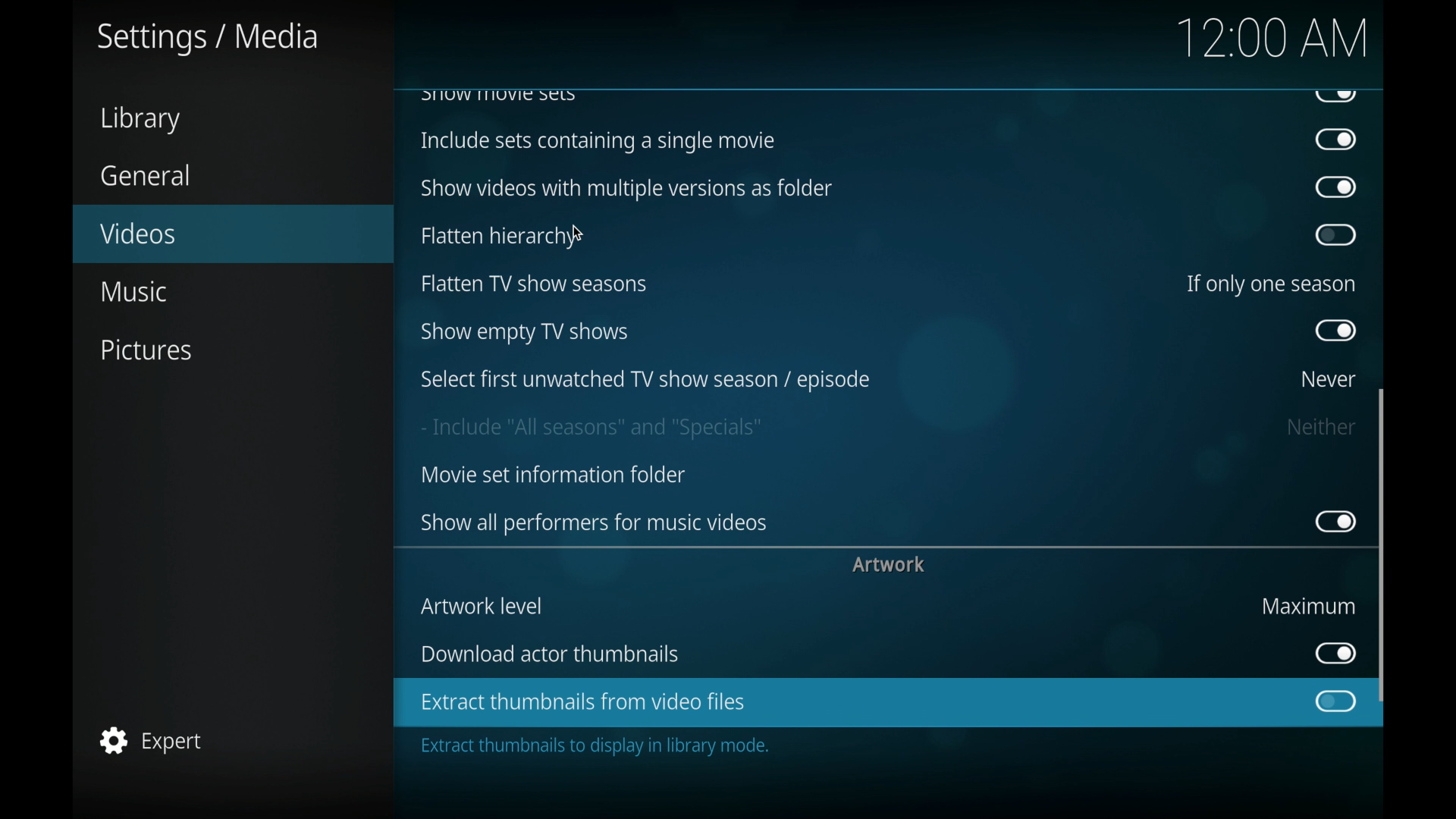 This screenshot has width=1456, height=819. What do you see at coordinates (132, 291) in the screenshot?
I see `music` at bounding box center [132, 291].